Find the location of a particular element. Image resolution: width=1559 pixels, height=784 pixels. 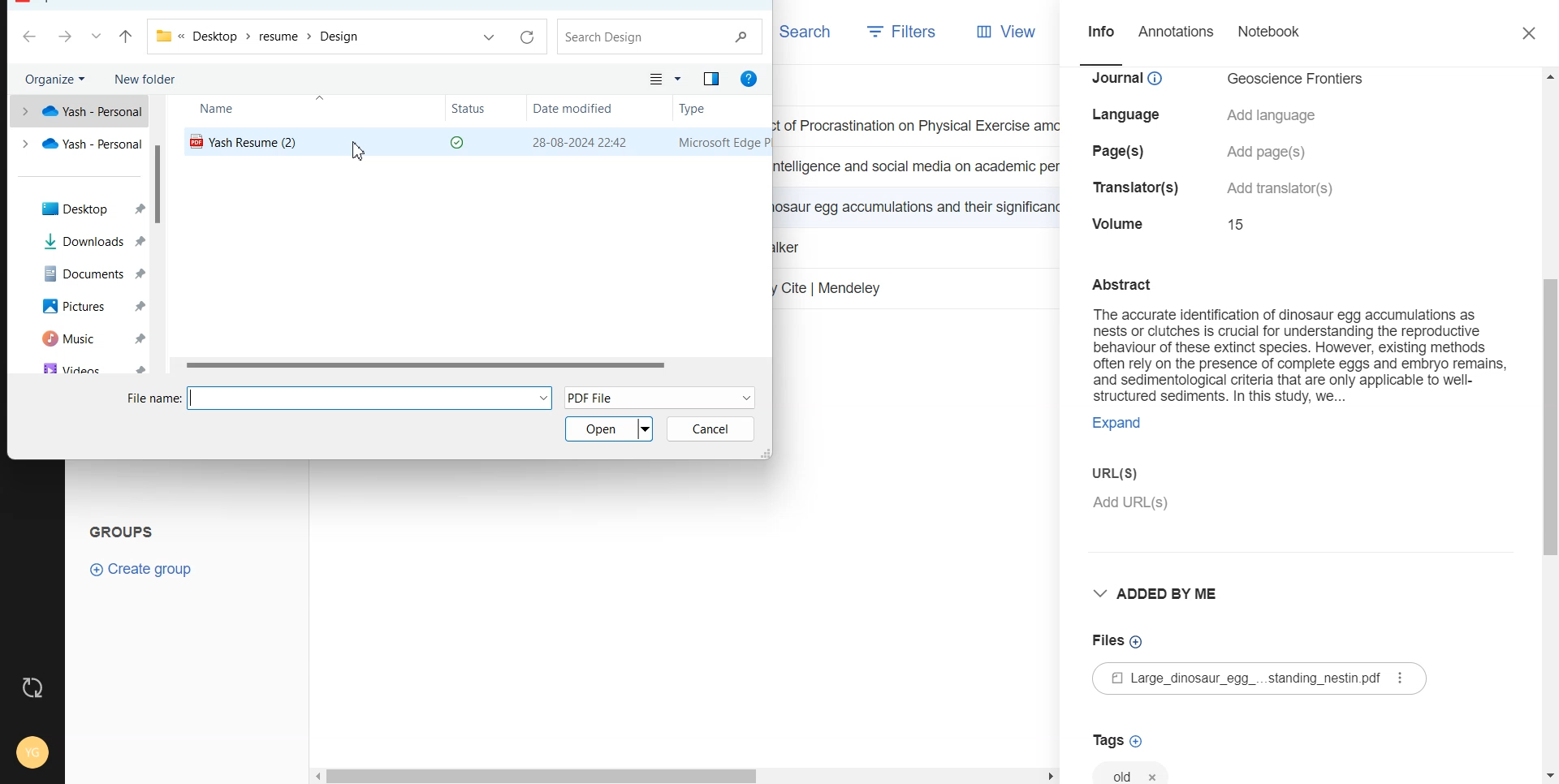

Add Tag is located at coordinates (1116, 741).